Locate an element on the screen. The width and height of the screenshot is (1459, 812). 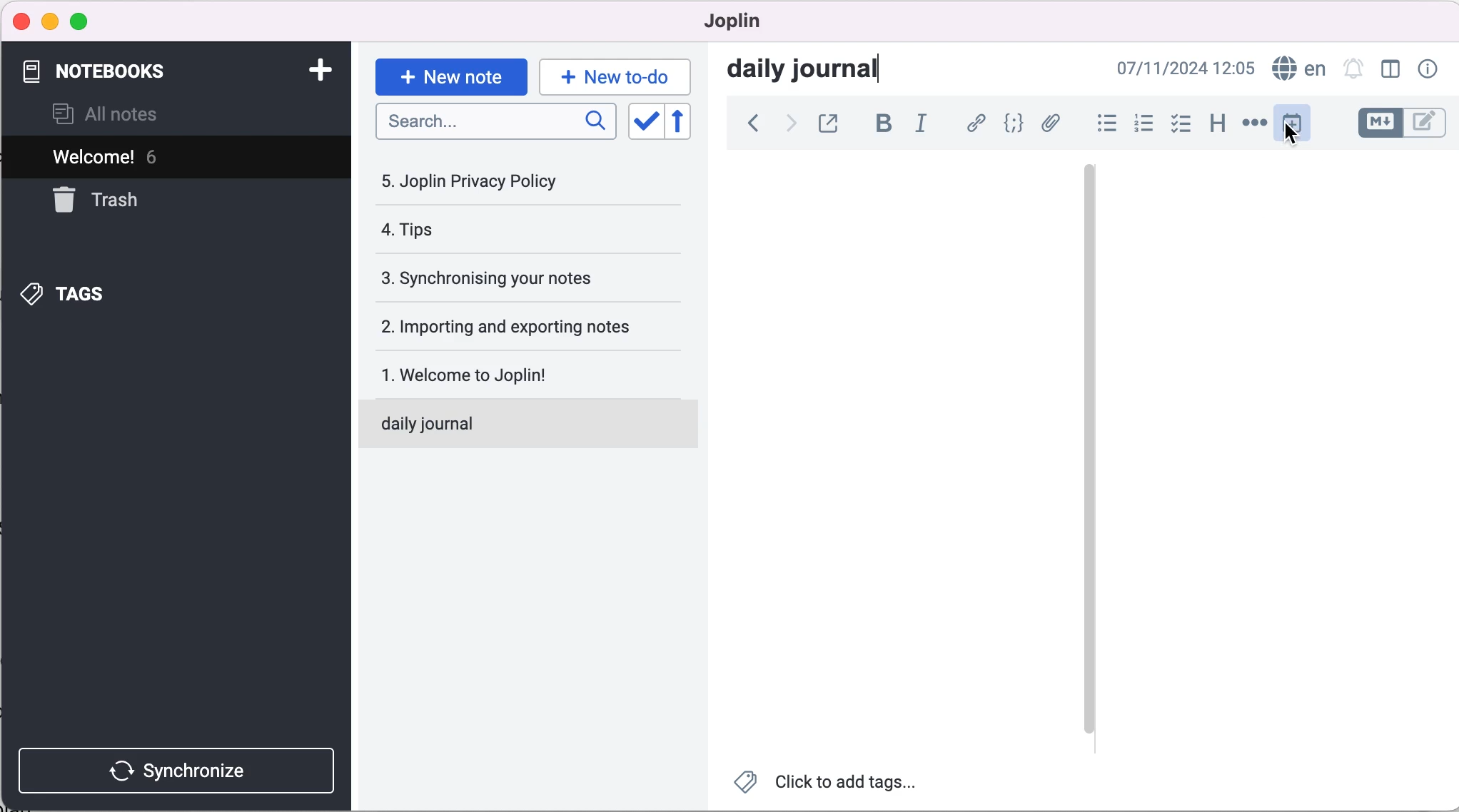
new to-do is located at coordinates (612, 76).